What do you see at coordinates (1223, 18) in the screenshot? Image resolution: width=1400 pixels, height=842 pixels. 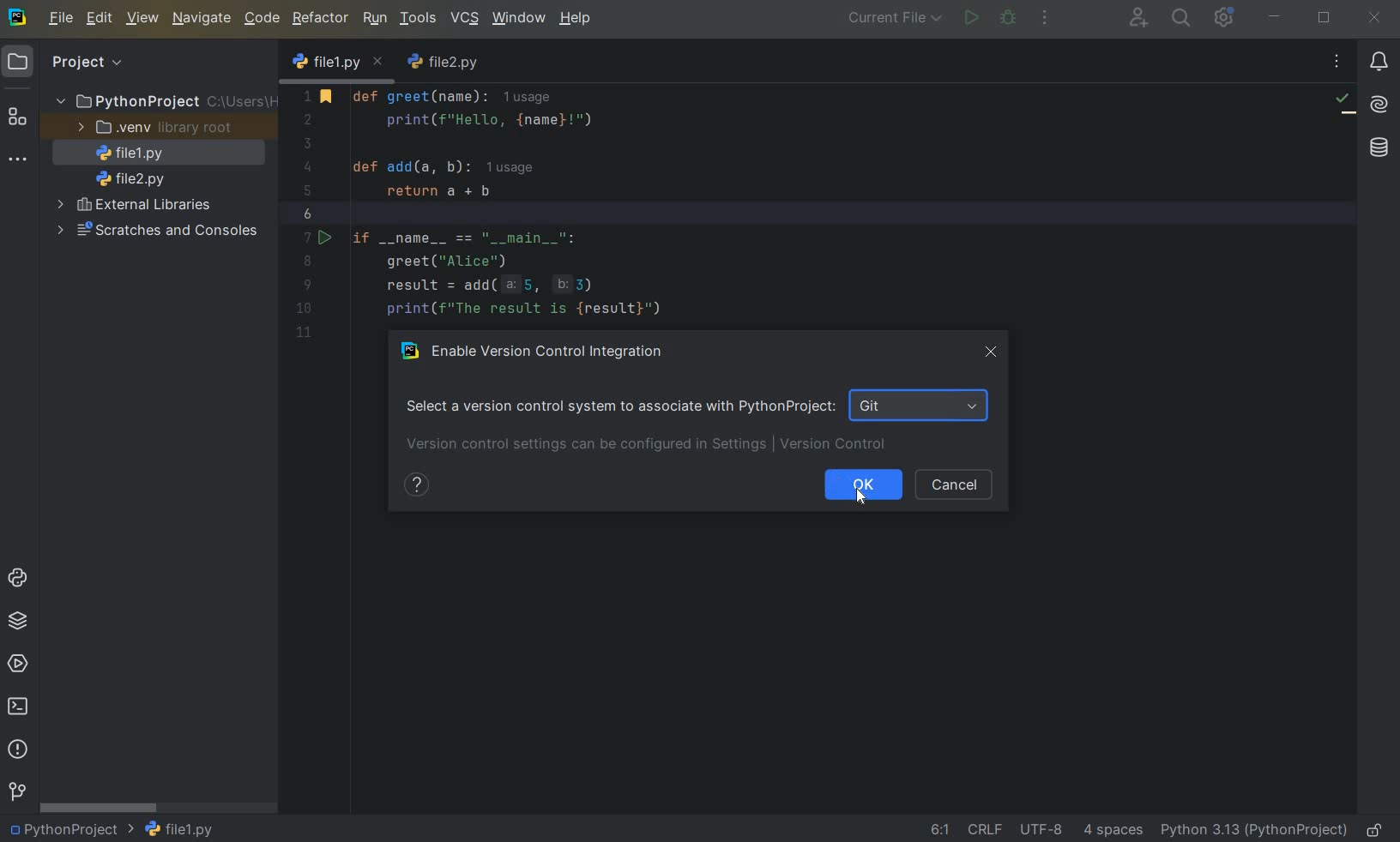 I see `ide and projectsettings` at bounding box center [1223, 18].